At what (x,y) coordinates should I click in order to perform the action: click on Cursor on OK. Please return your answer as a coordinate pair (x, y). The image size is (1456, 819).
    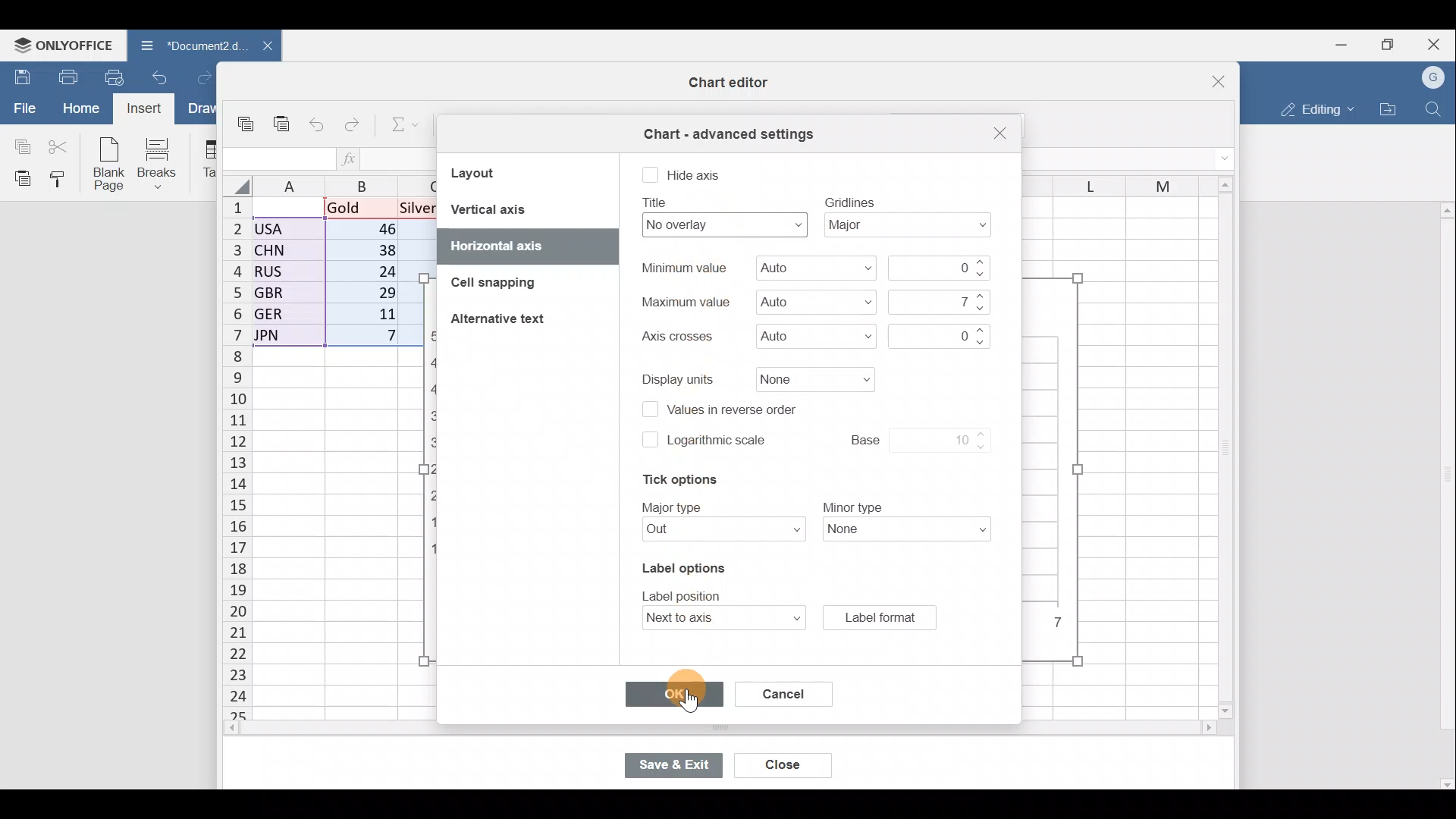
    Looking at the image, I should click on (693, 692).